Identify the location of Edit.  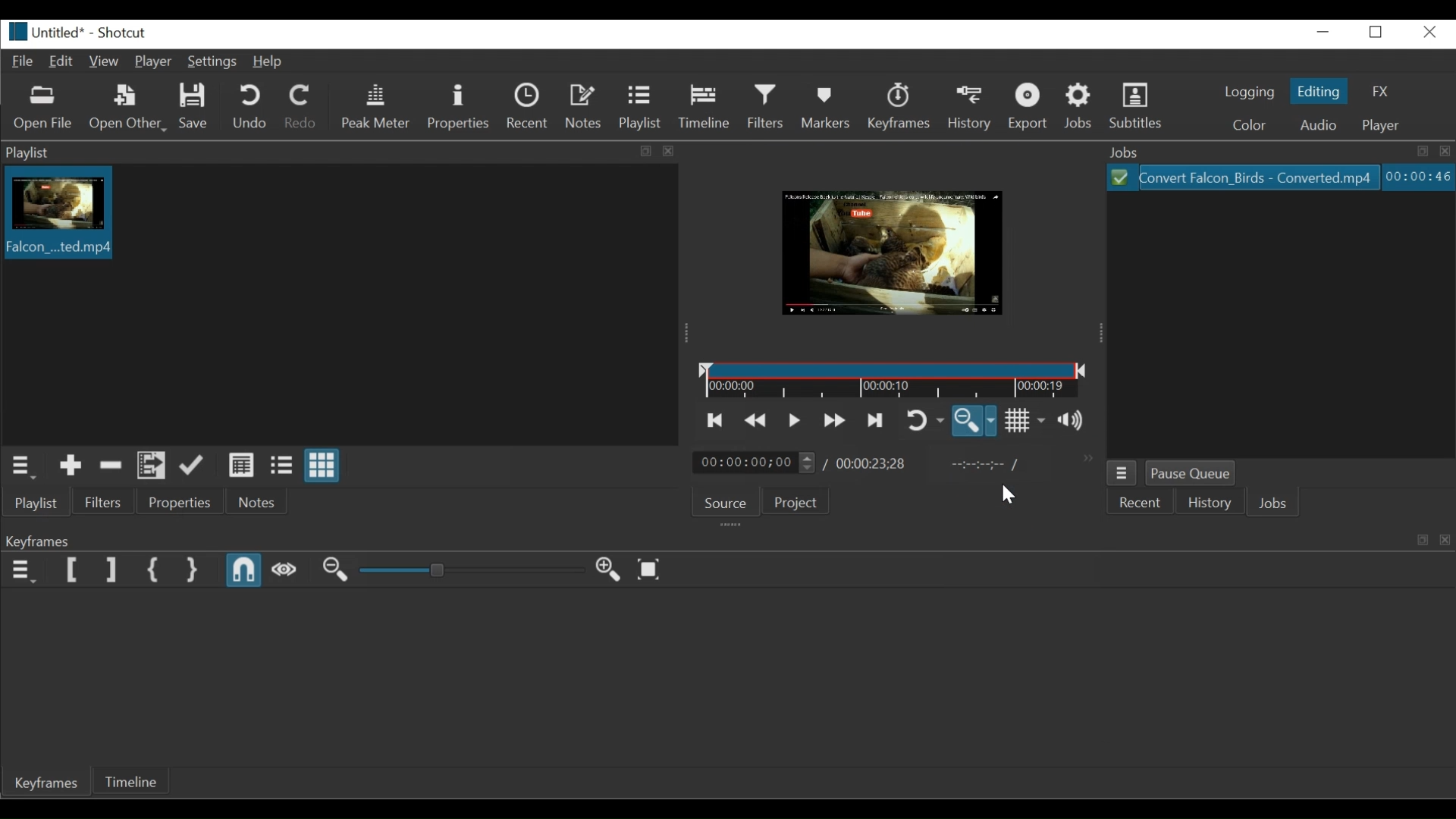
(61, 62).